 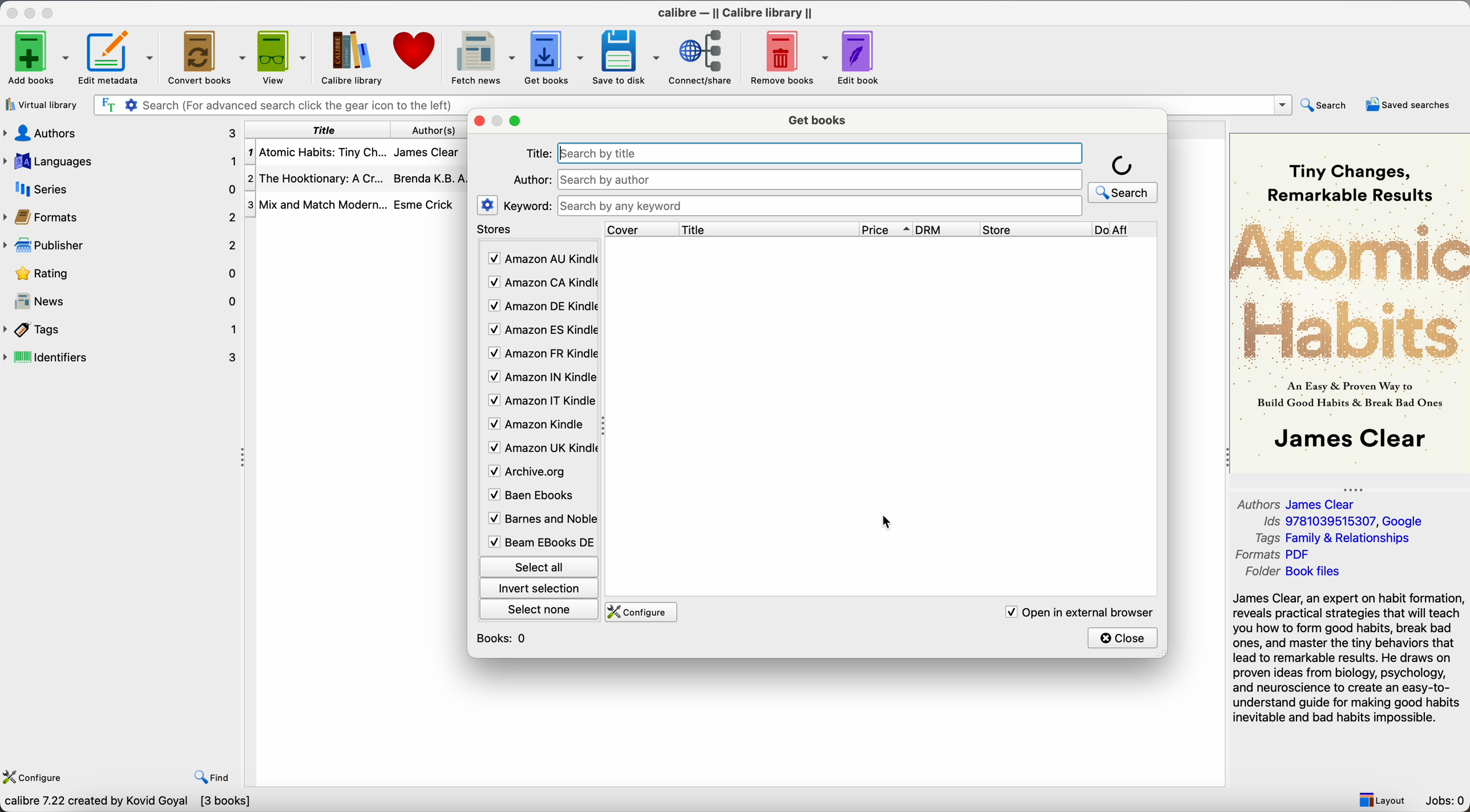 I want to click on Ids 9781039515307, Google, so click(x=1344, y=522).